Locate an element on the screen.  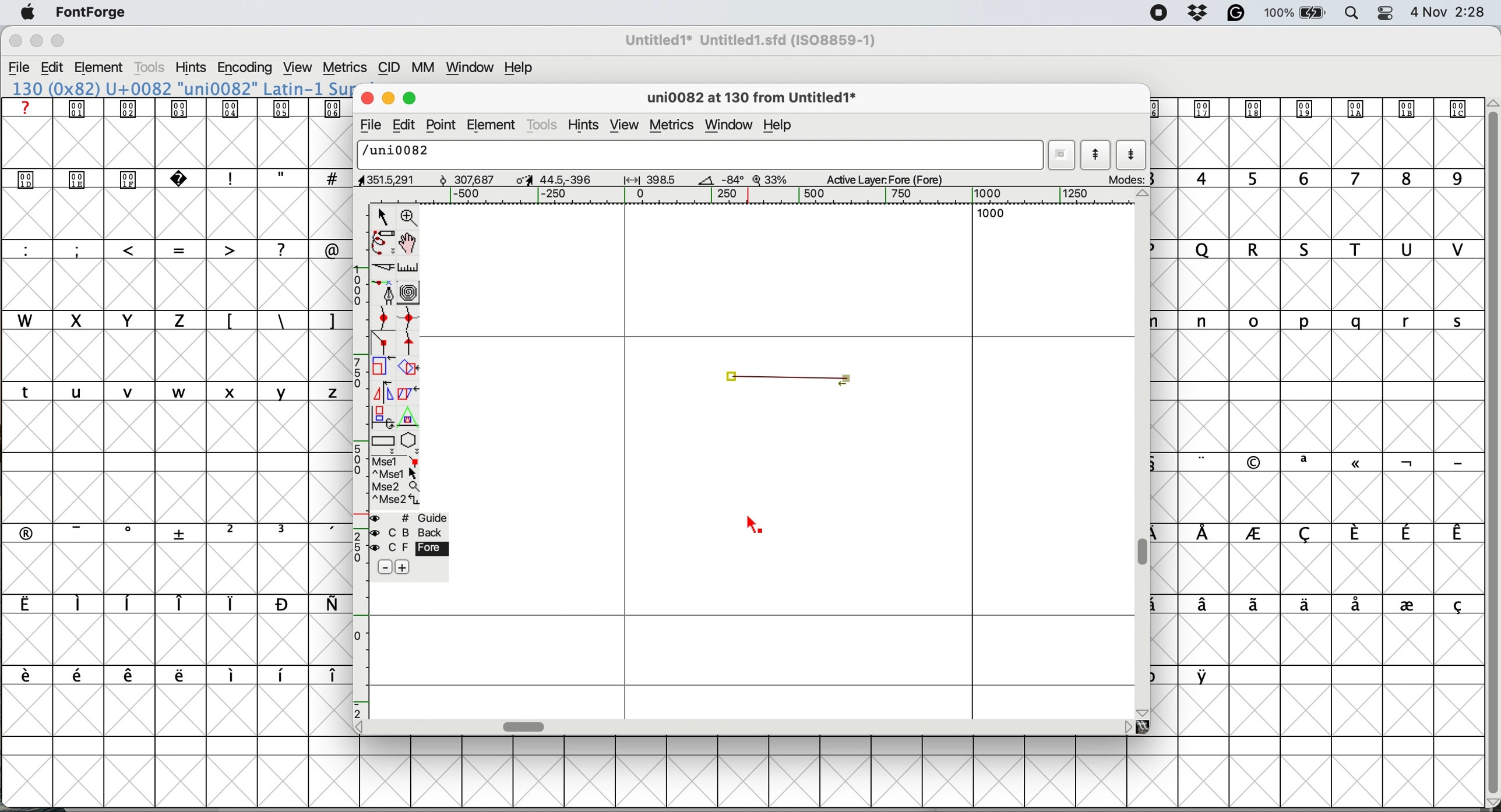
spotlight search is located at coordinates (1349, 15).